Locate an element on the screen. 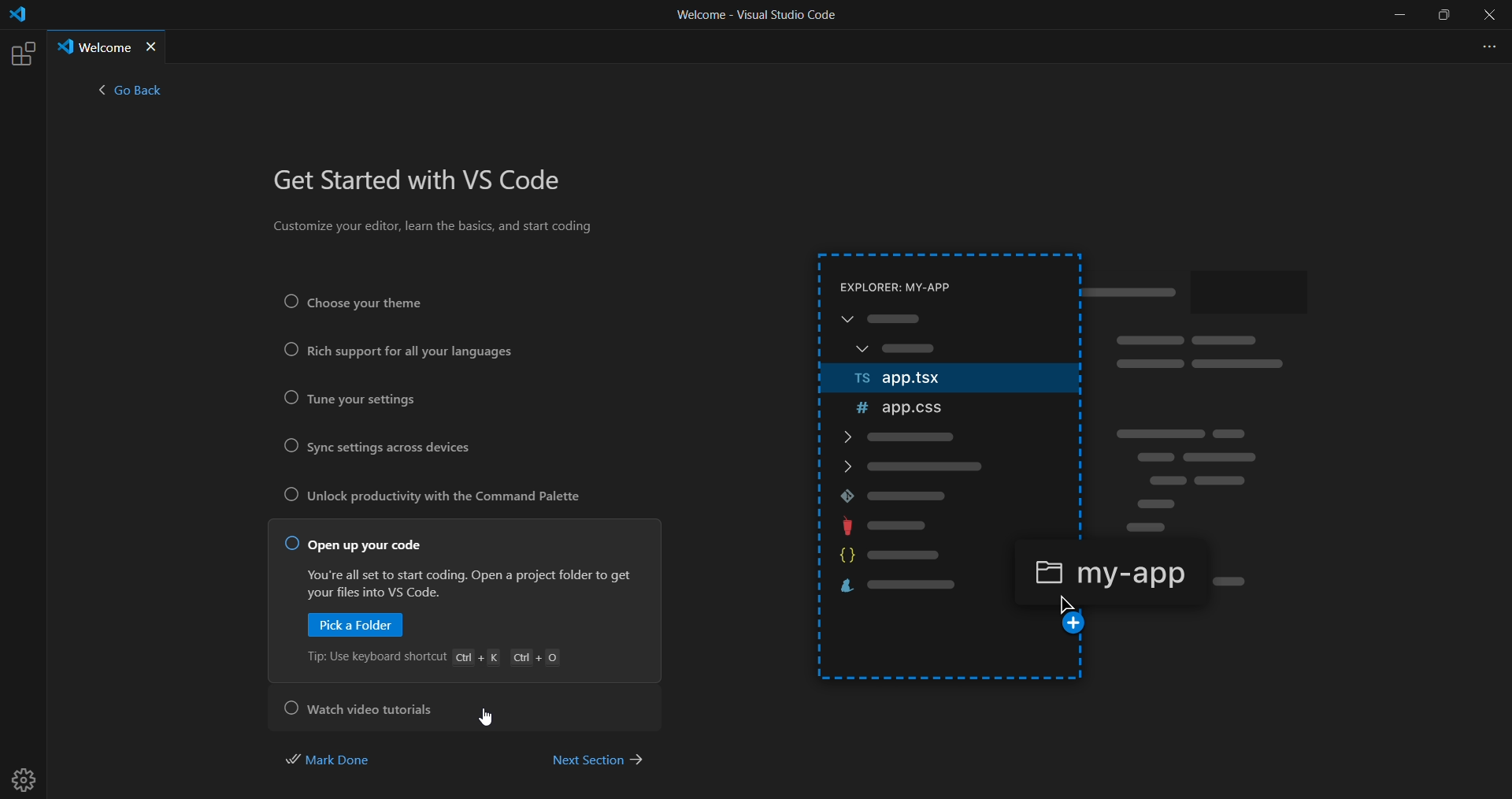 This screenshot has width=1512, height=799. You're all set to start coding. Open a project folder to get your files into VS Code. is located at coordinates (466, 583).